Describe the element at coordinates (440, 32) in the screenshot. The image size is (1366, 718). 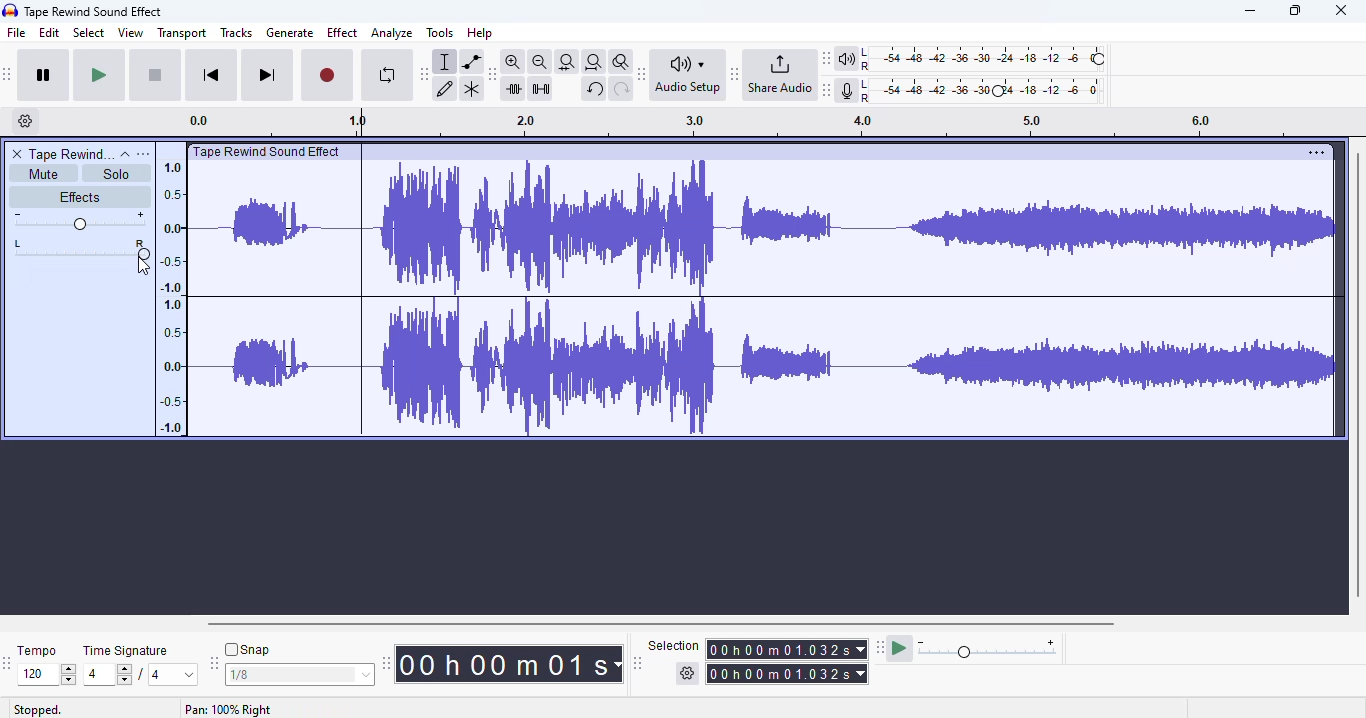
I see `tools` at that location.